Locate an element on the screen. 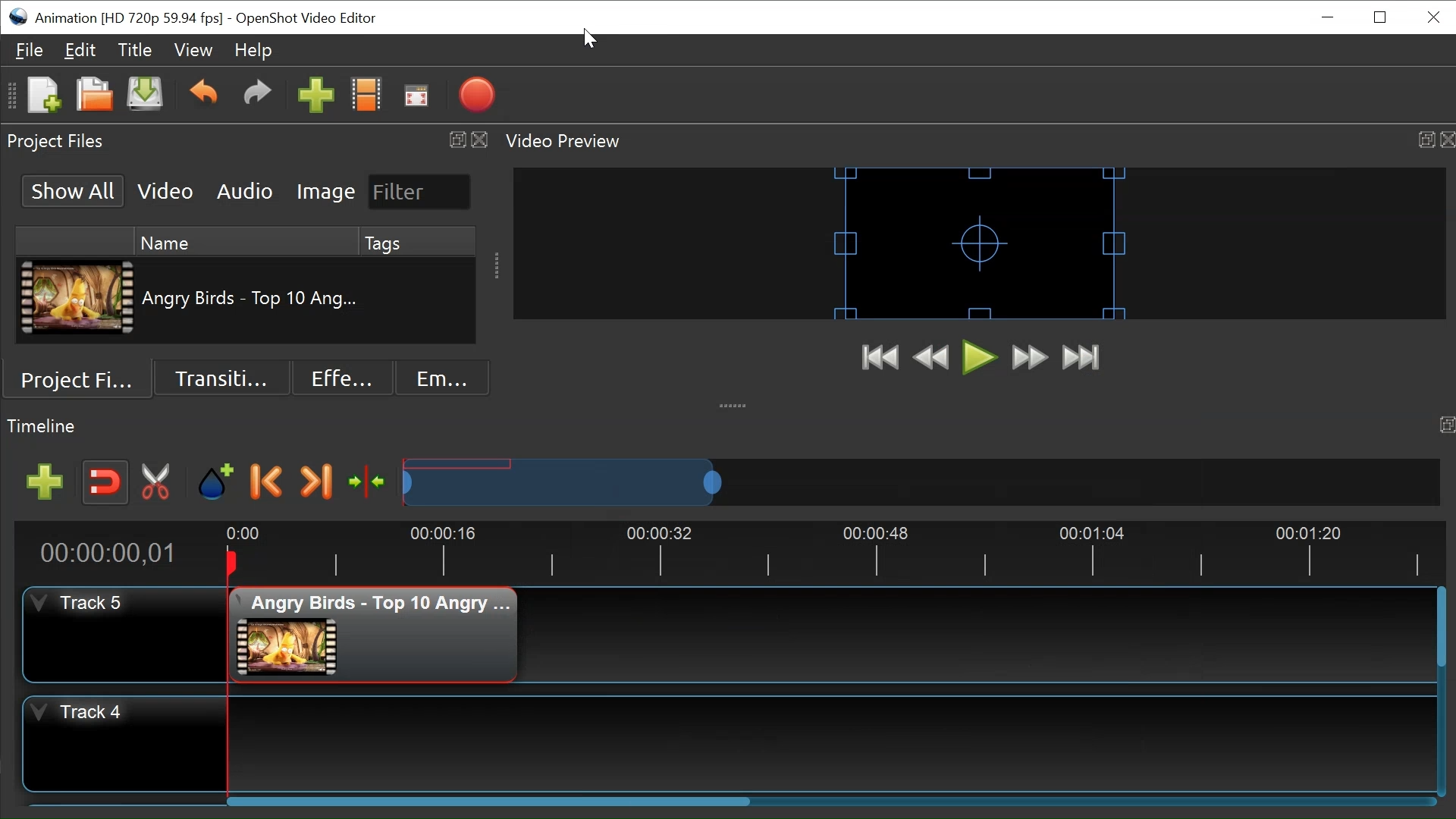  Choose Files is located at coordinates (366, 96).